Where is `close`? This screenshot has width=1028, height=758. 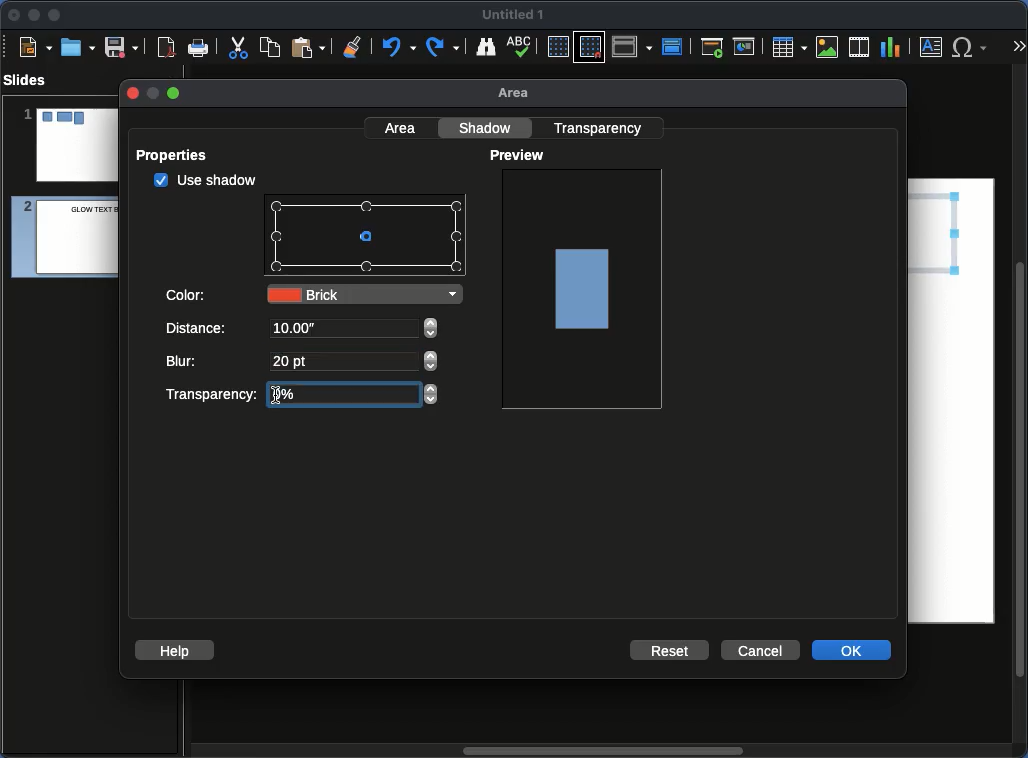
close is located at coordinates (131, 93).